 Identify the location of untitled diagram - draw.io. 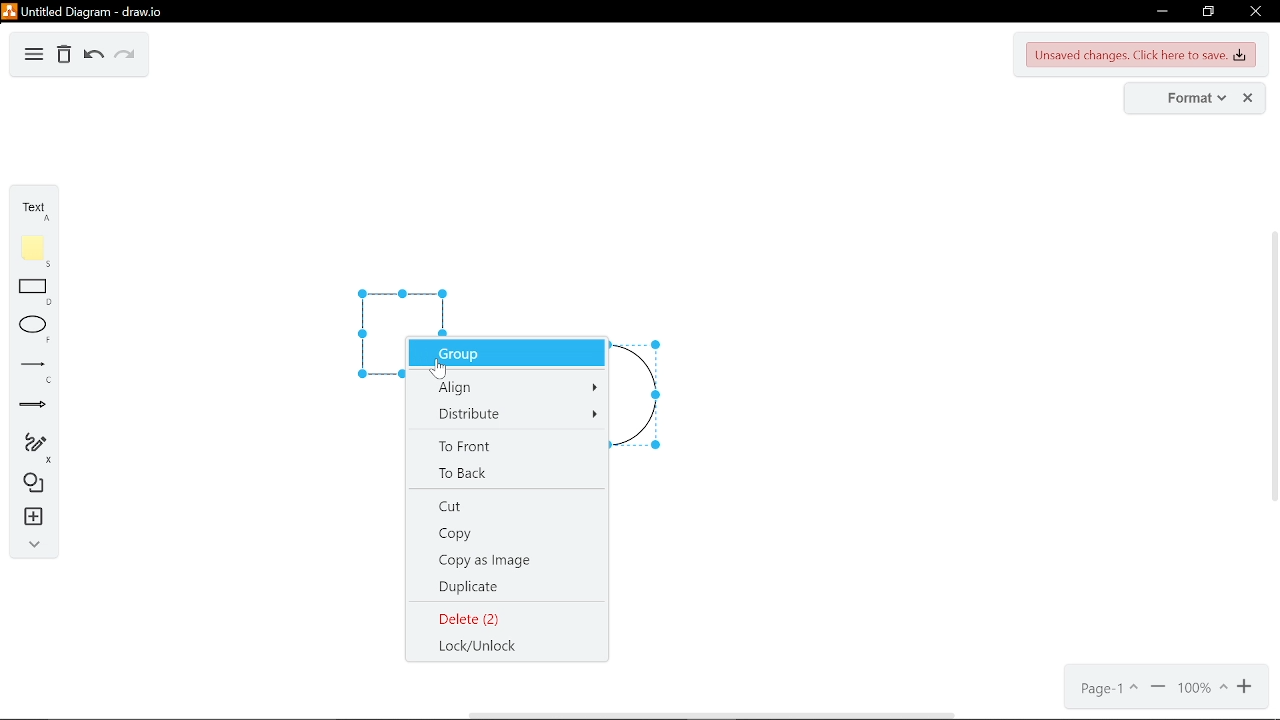
(94, 10).